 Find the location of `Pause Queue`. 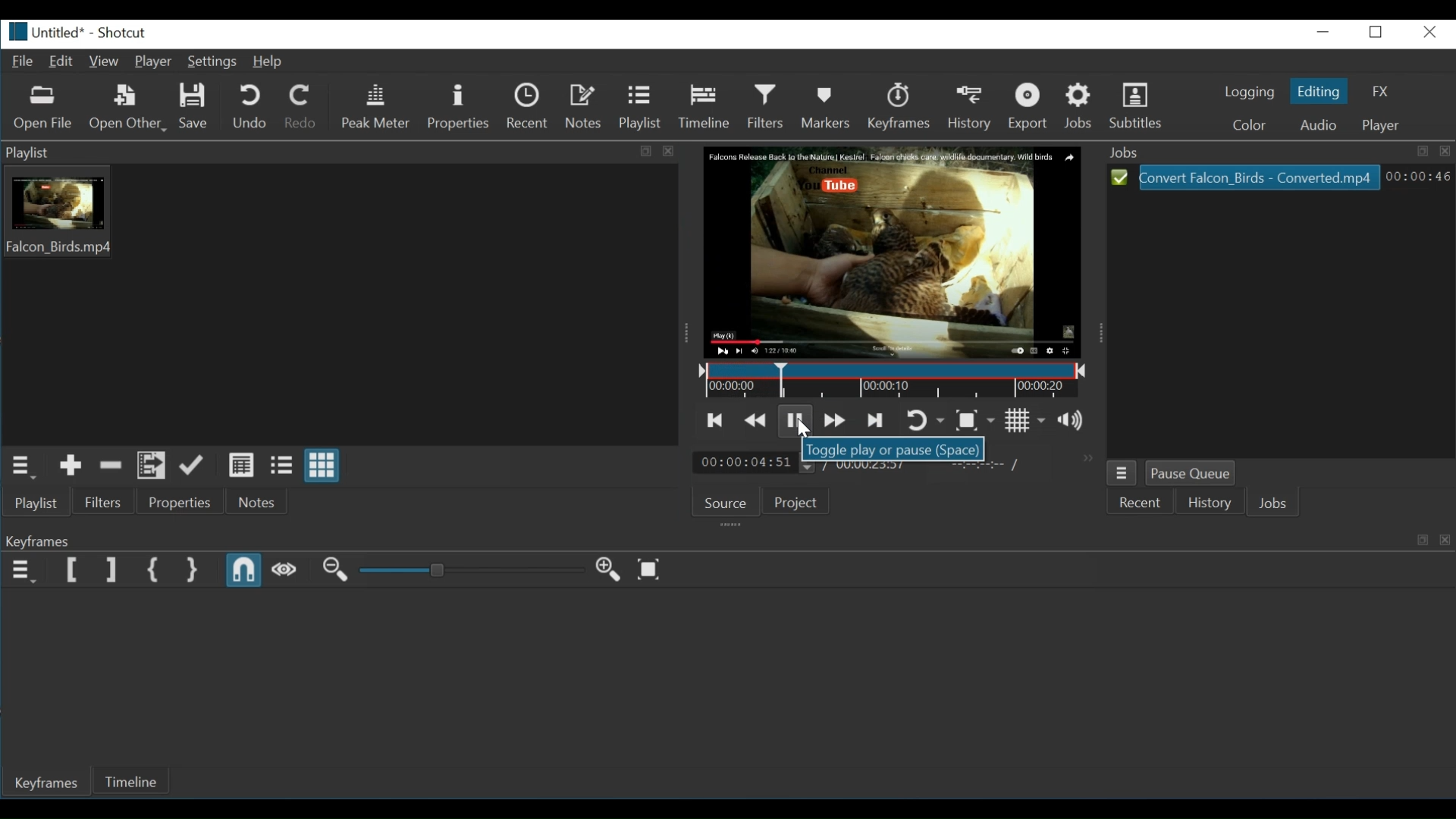

Pause Queue is located at coordinates (1193, 473).